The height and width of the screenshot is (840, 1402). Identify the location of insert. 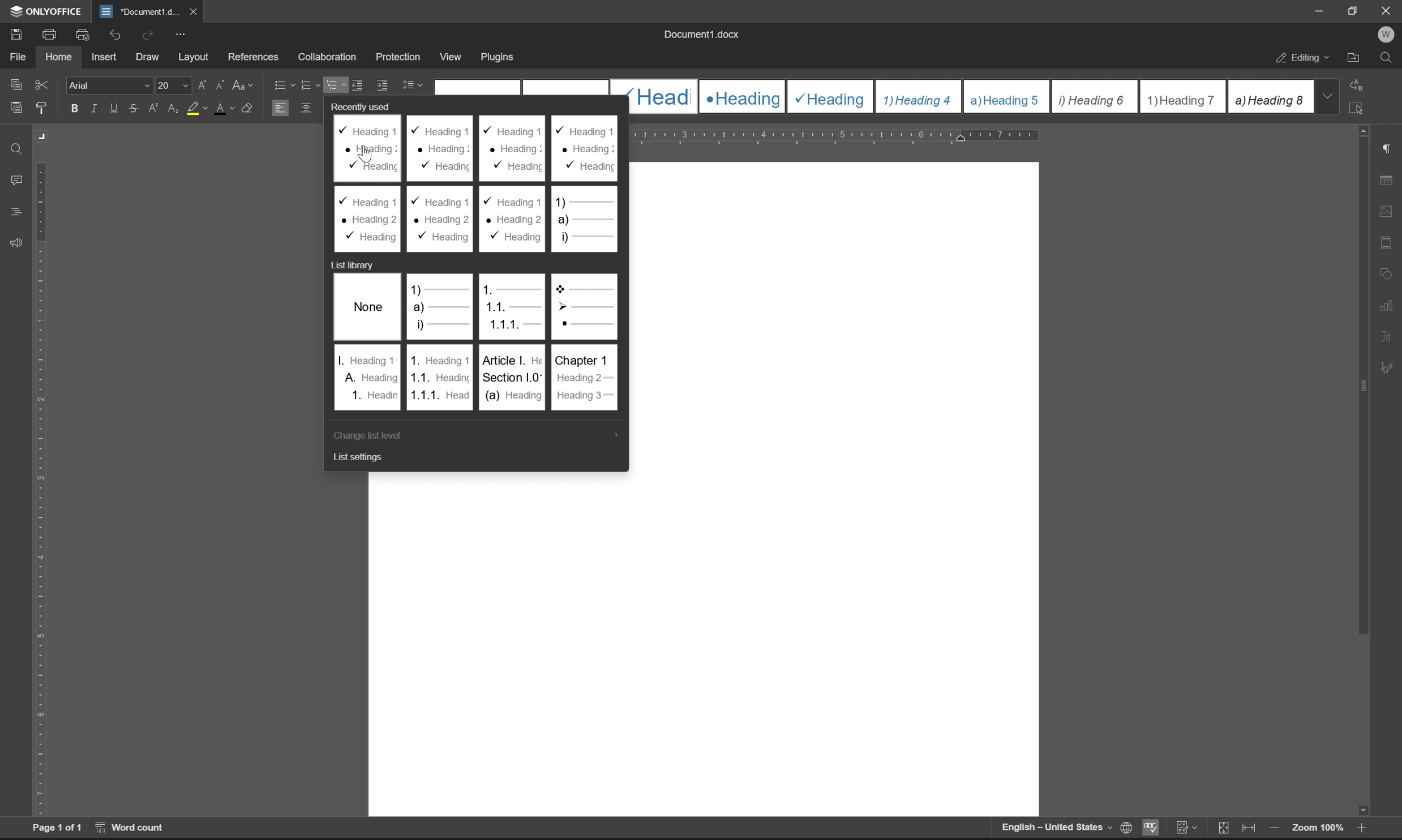
(104, 56).